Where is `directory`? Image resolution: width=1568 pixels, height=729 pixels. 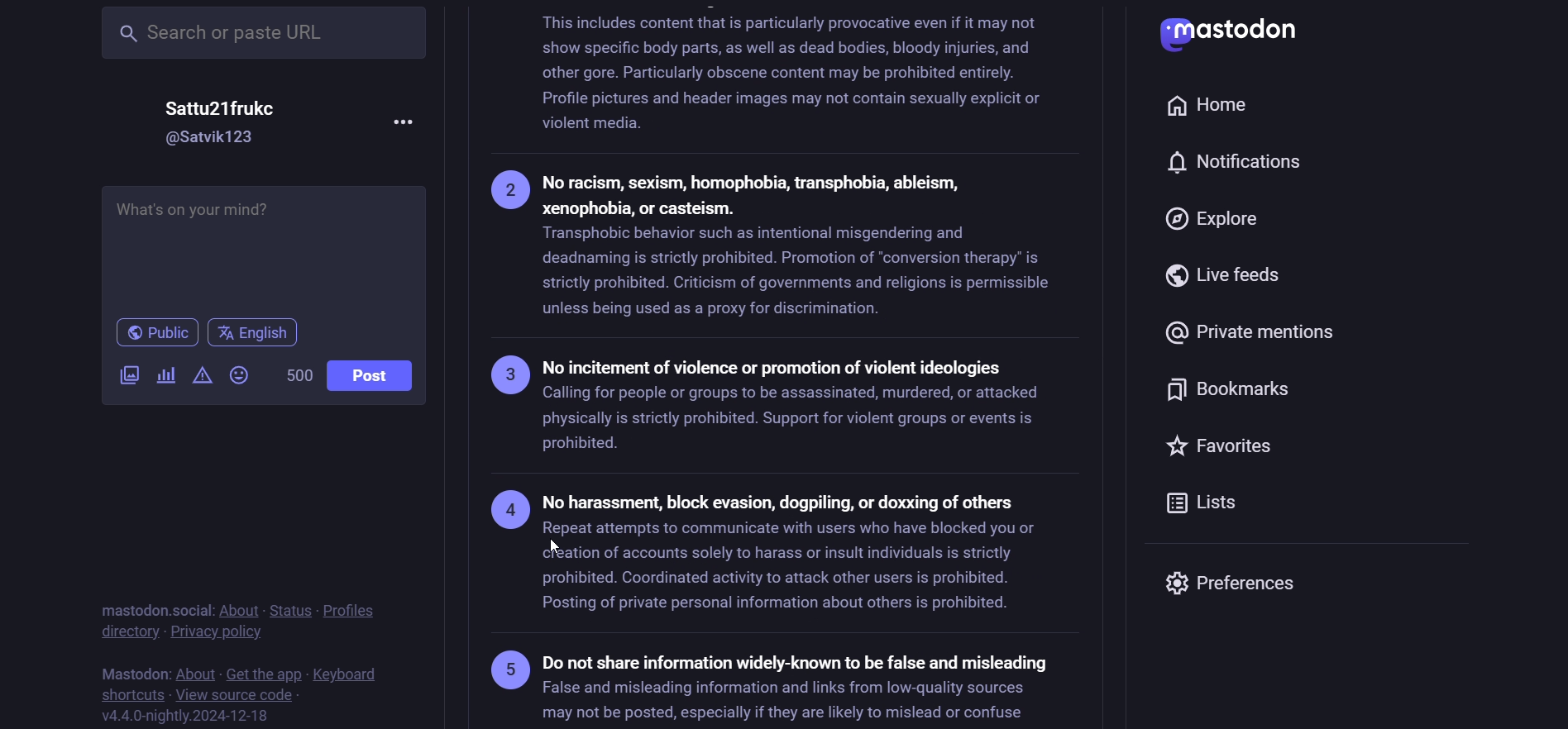
directory is located at coordinates (126, 631).